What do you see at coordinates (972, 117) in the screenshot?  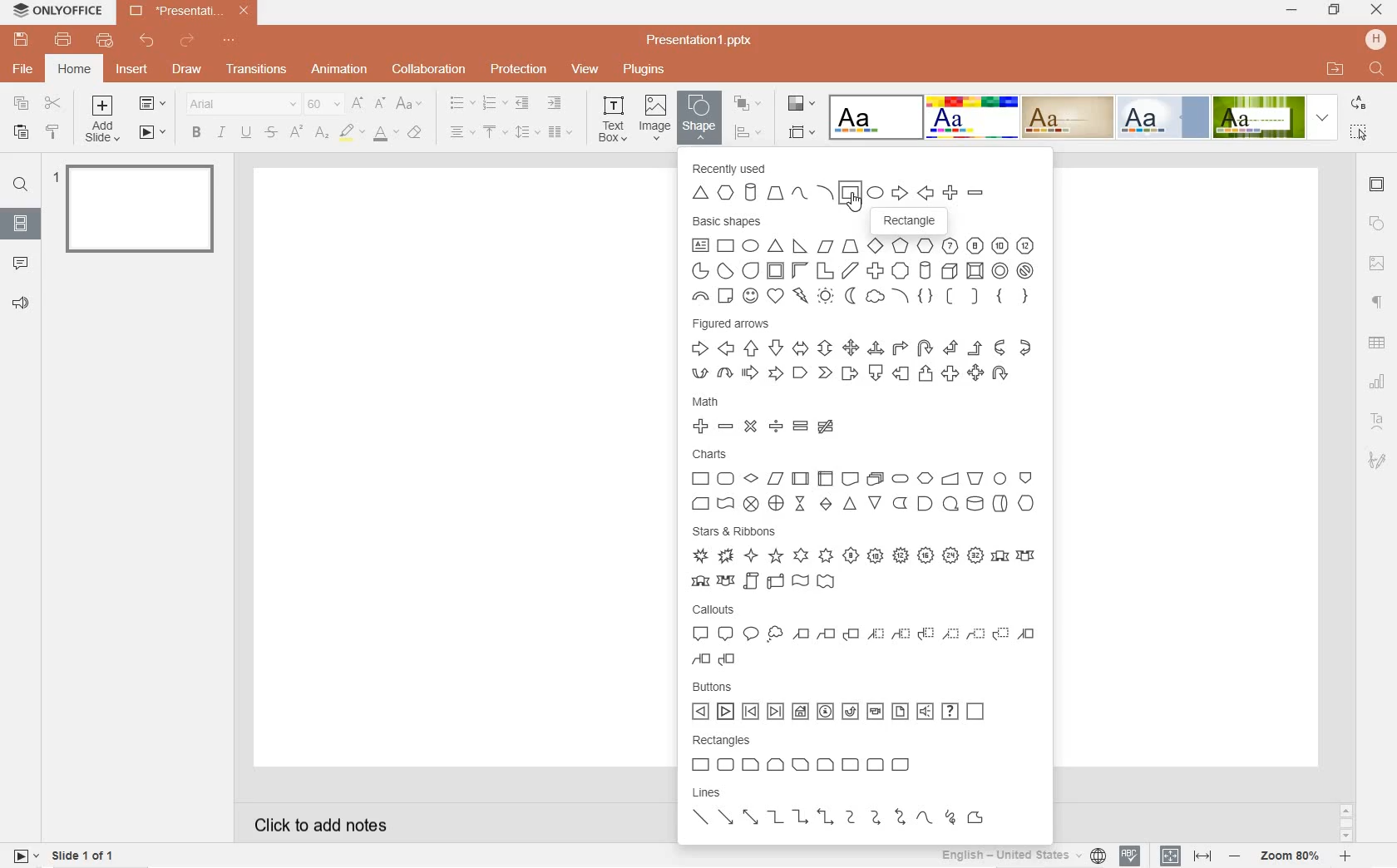 I see `Basic` at bounding box center [972, 117].